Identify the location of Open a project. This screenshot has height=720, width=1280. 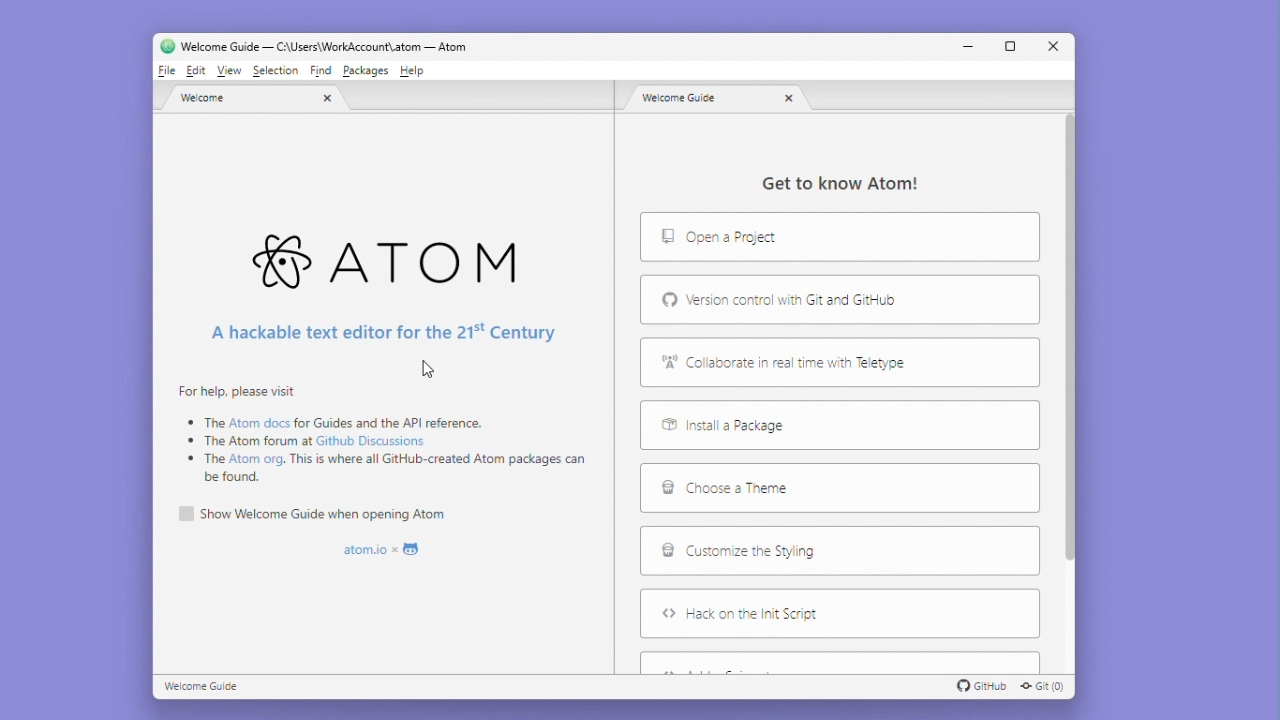
(801, 238).